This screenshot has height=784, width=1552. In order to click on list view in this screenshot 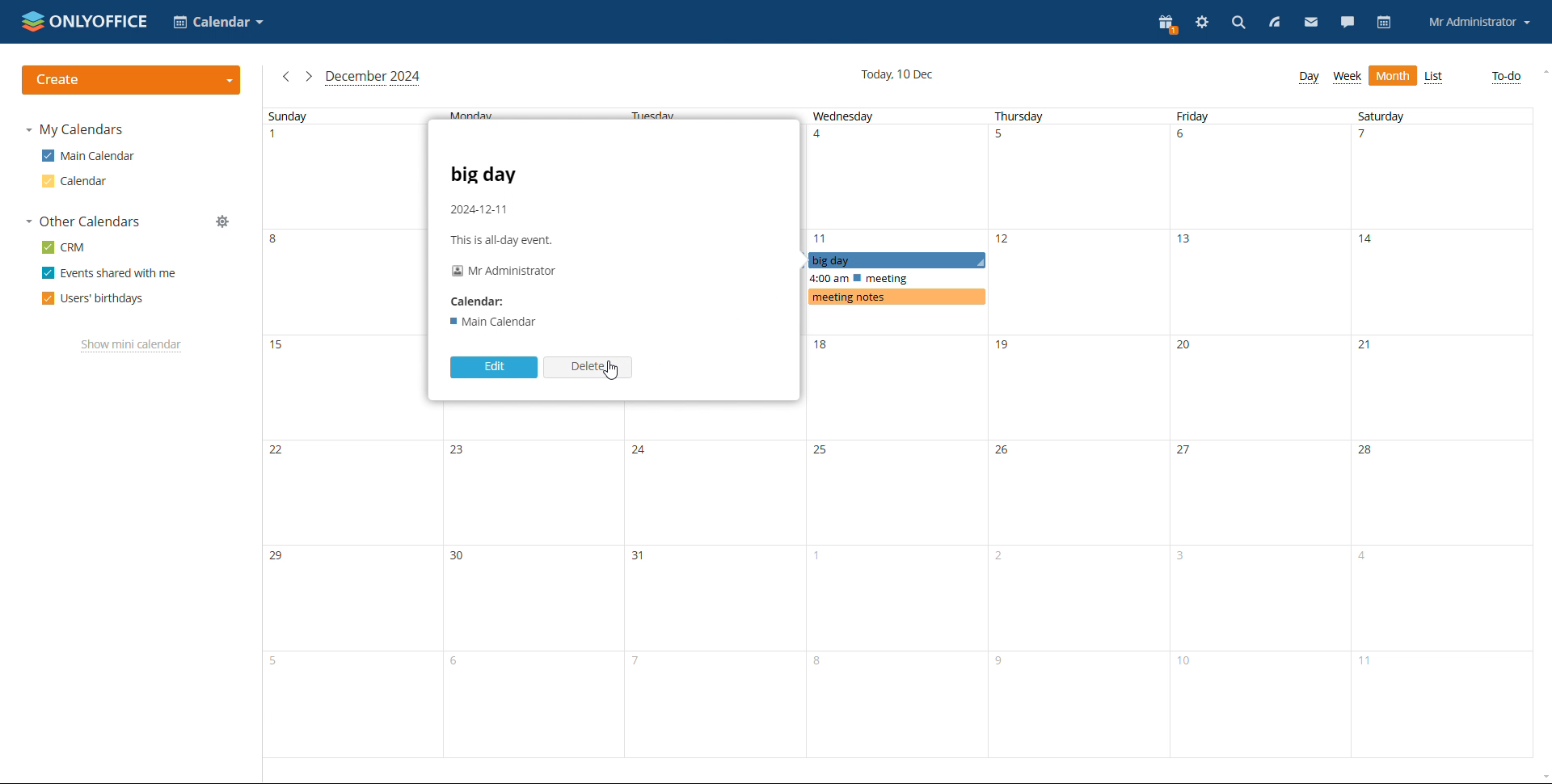, I will do `click(1435, 78)`.